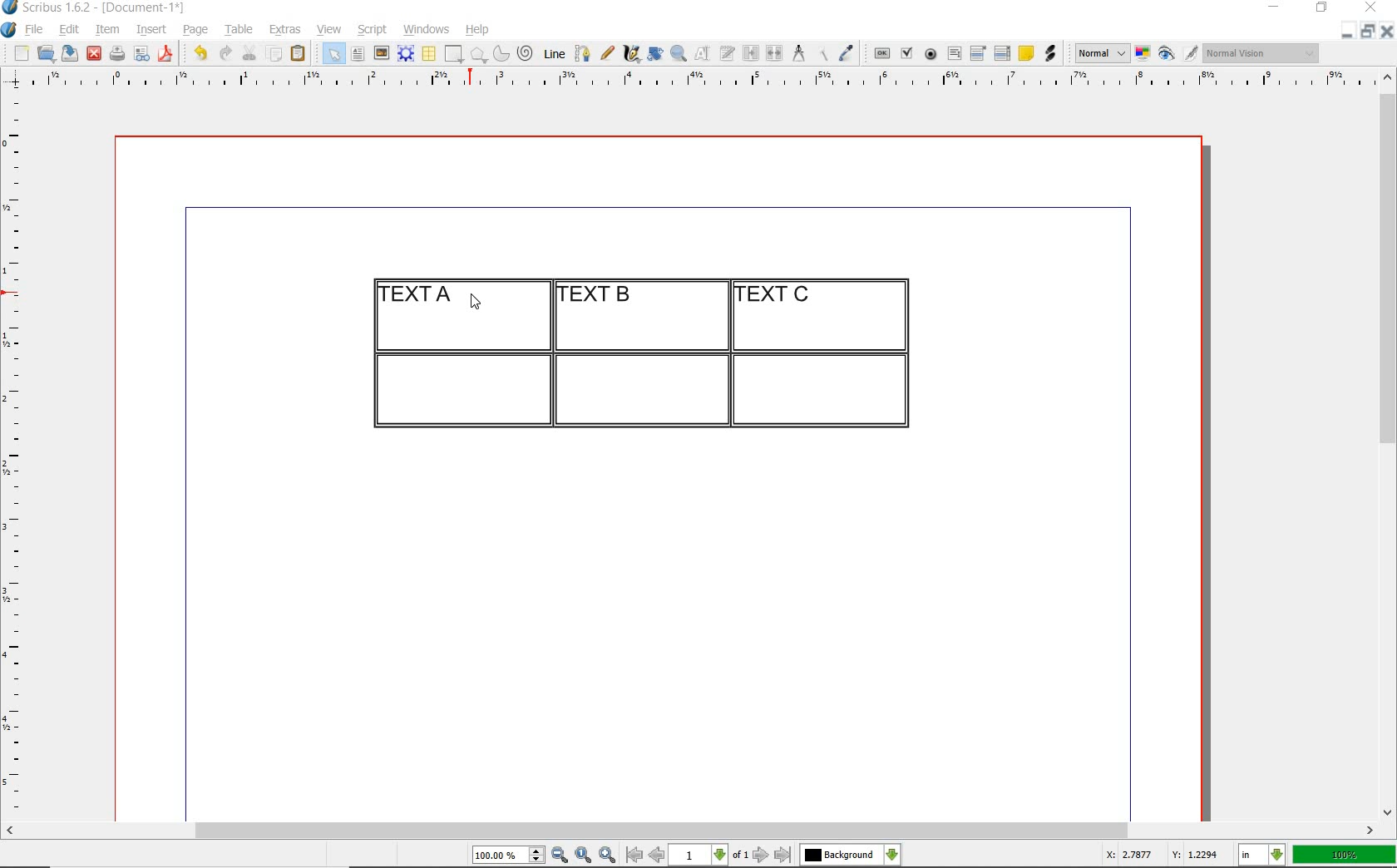  Describe the element at coordinates (456, 55) in the screenshot. I see `shape` at that location.